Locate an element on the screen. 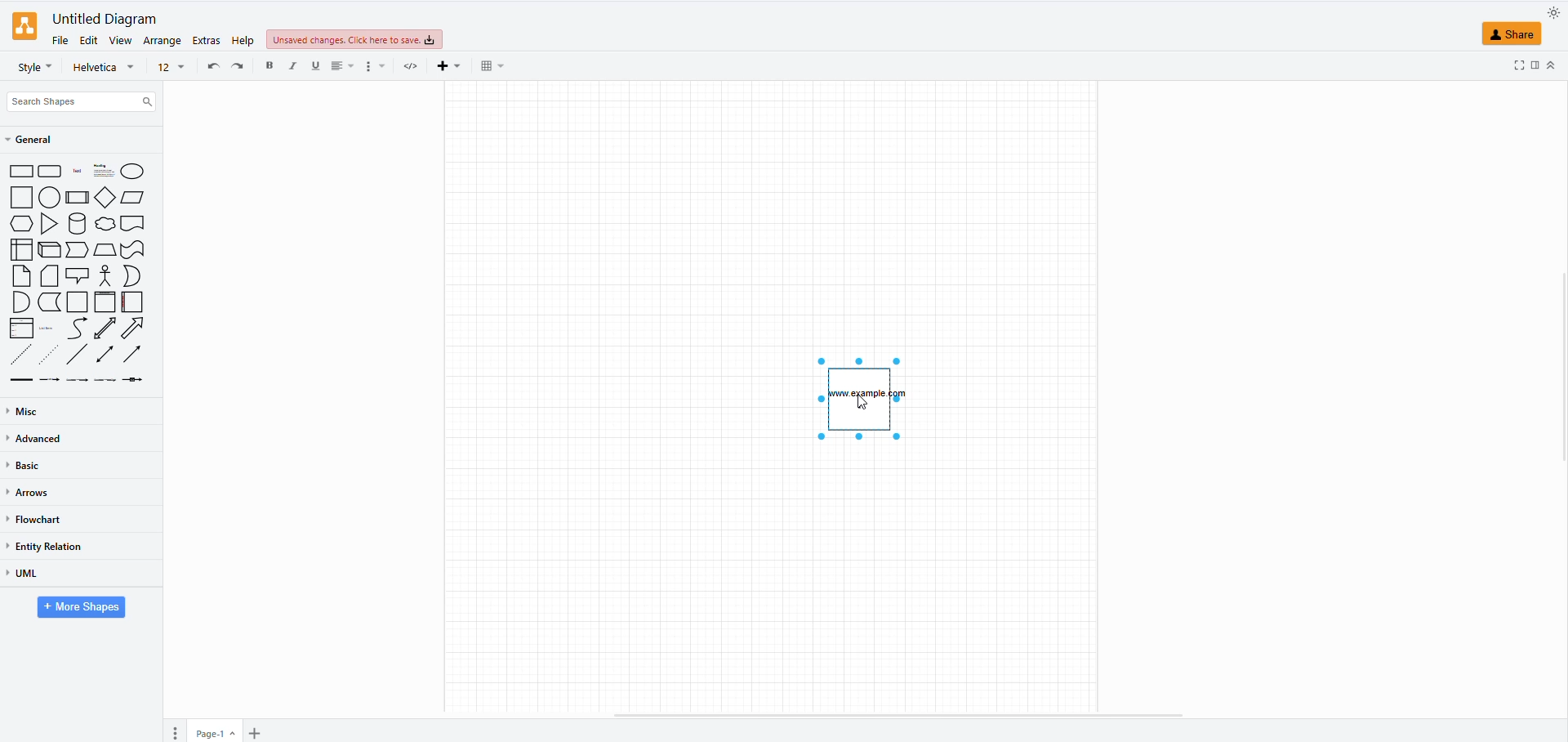  arrows is located at coordinates (29, 494).